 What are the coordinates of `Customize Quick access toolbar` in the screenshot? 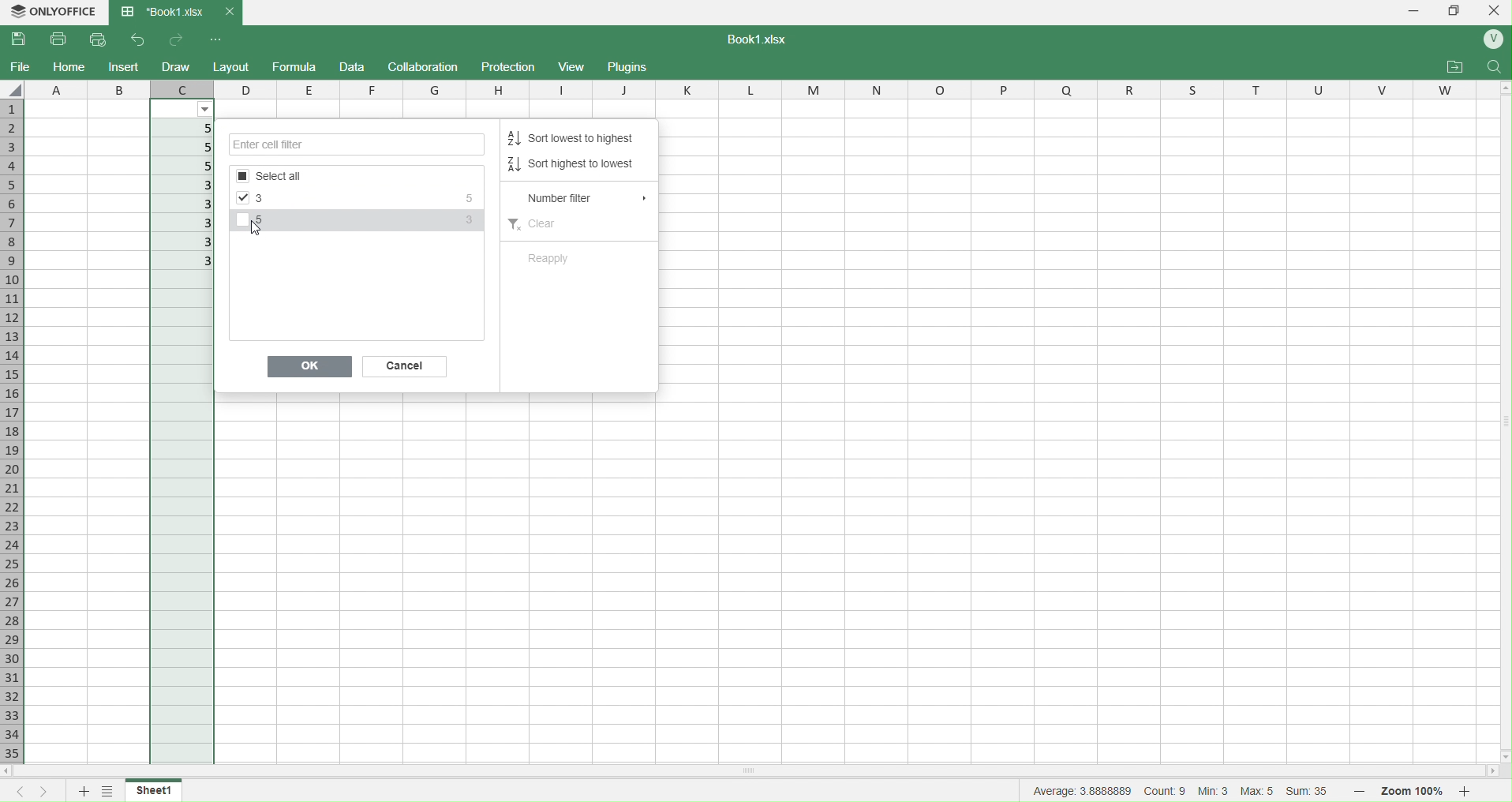 It's located at (216, 40).